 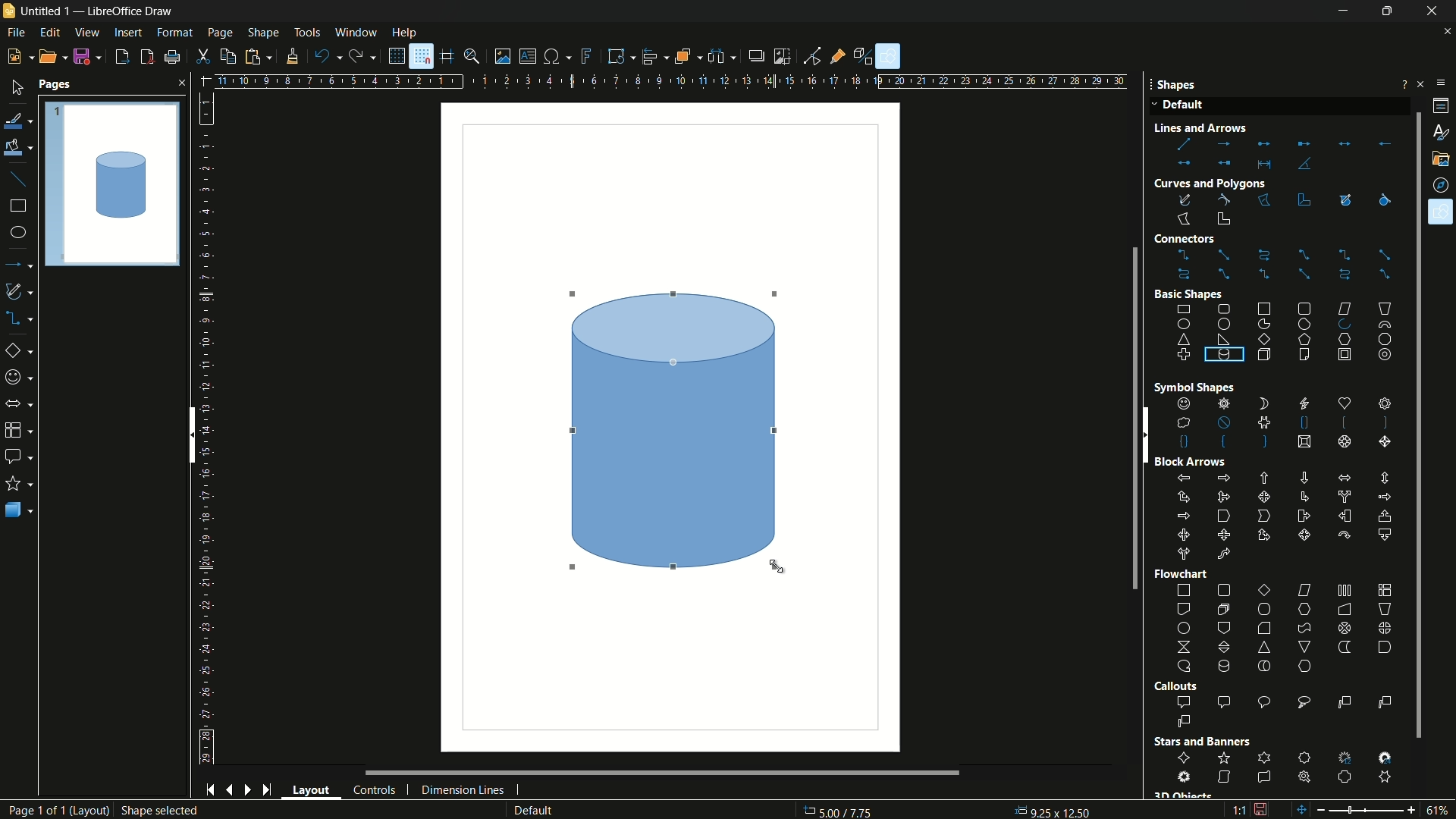 What do you see at coordinates (723, 57) in the screenshot?
I see `select at least three objects to distribute` at bounding box center [723, 57].